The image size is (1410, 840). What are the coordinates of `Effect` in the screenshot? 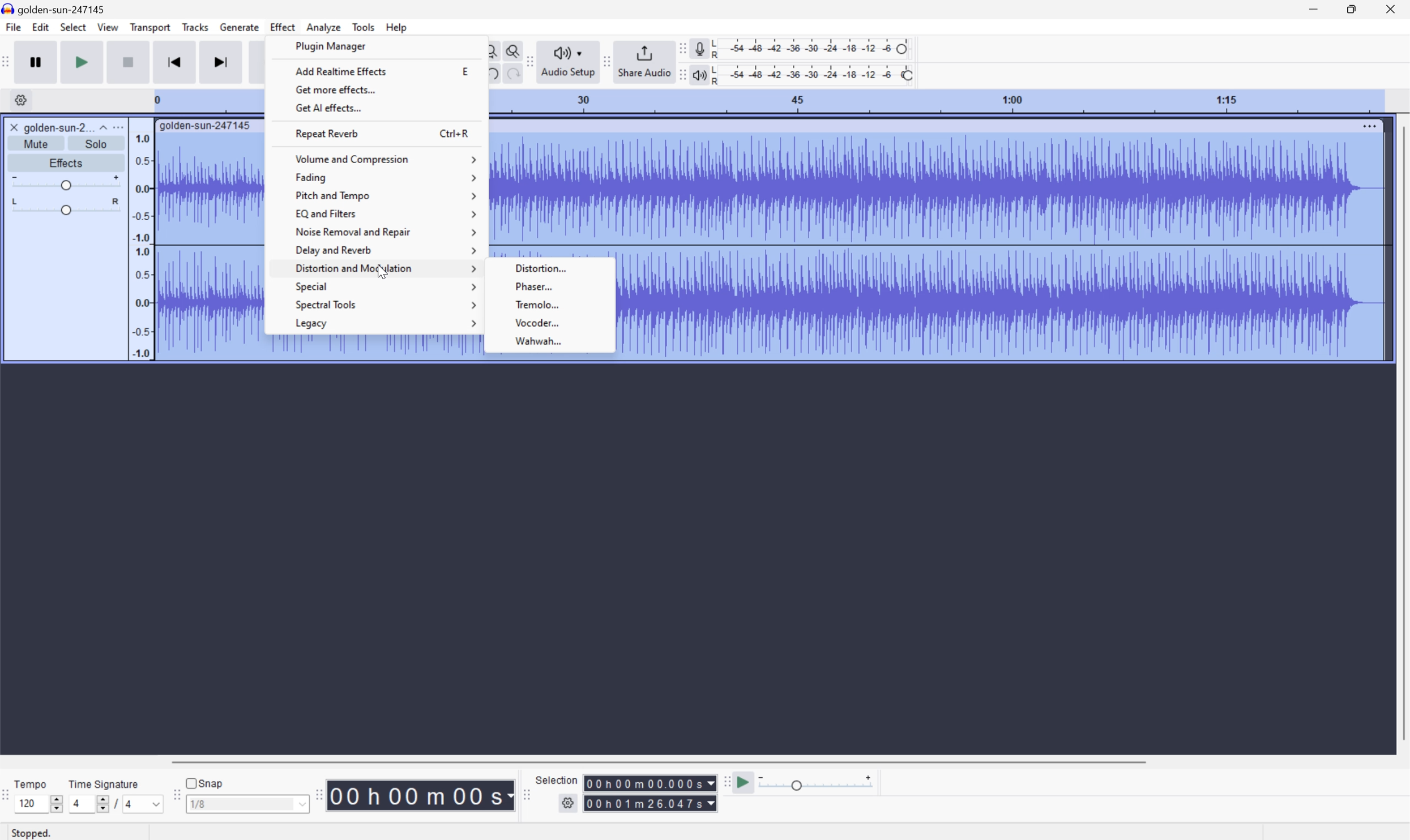 It's located at (283, 27).